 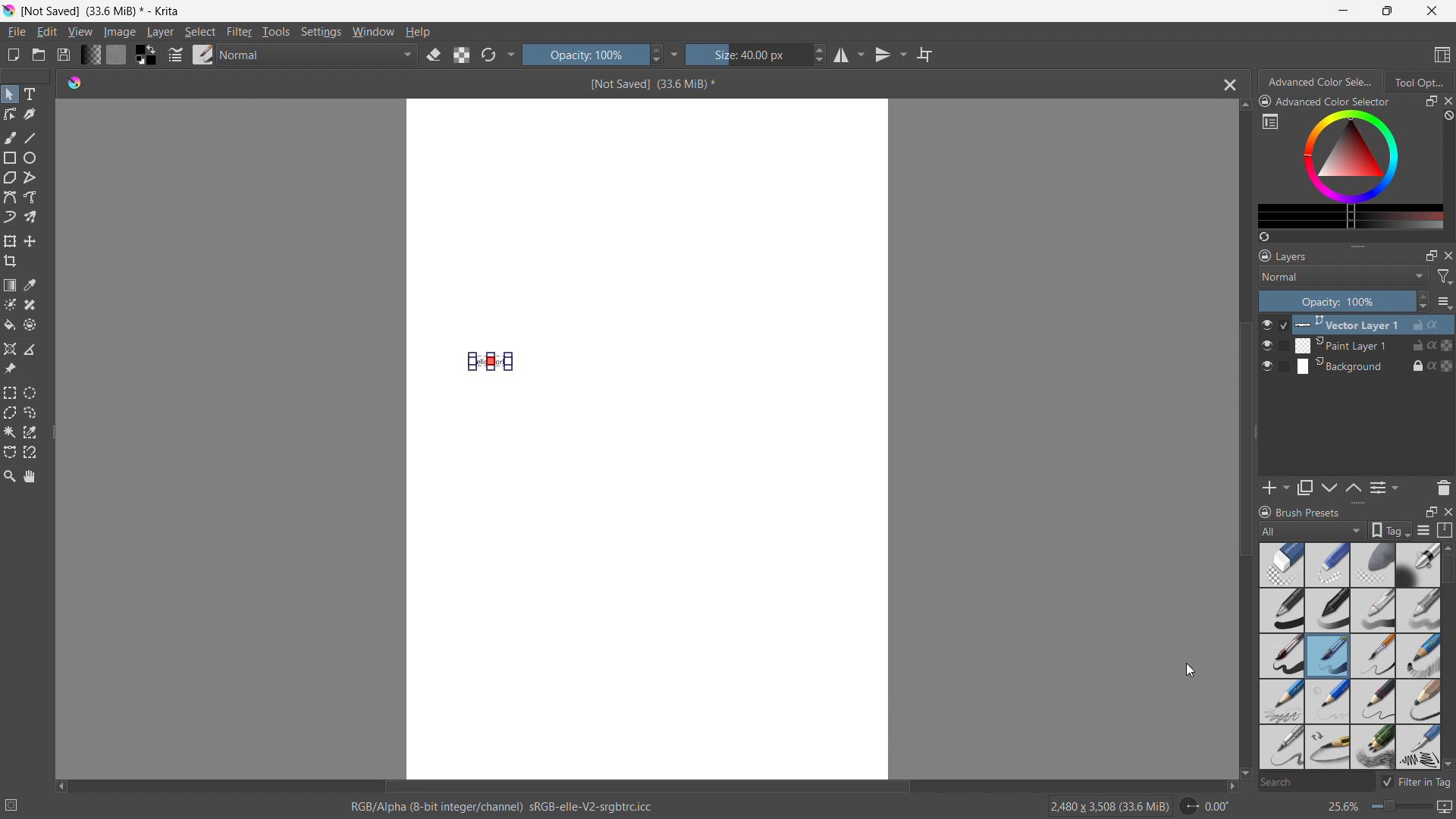 What do you see at coordinates (418, 31) in the screenshot?
I see `help` at bounding box center [418, 31].